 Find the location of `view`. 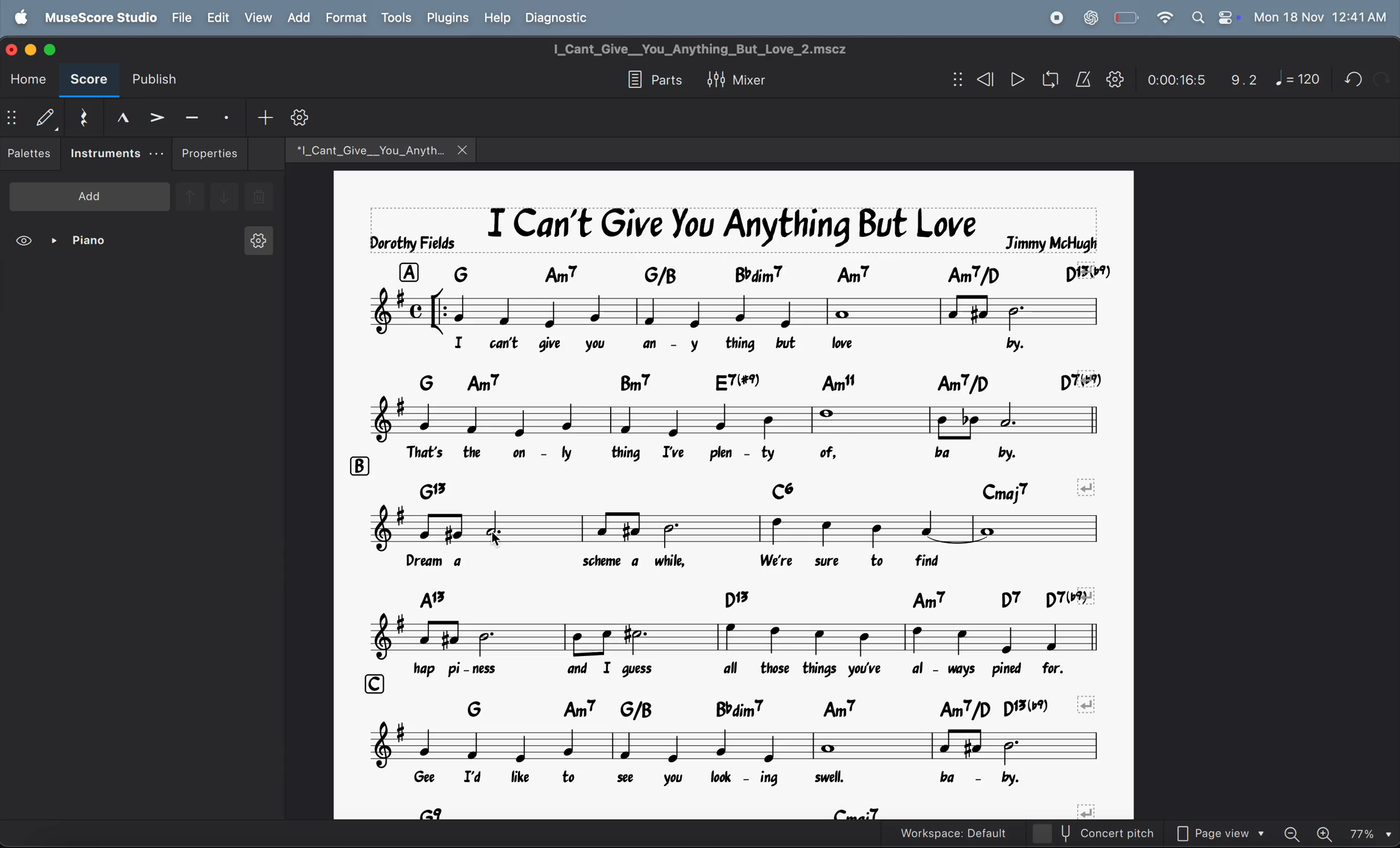

view is located at coordinates (259, 19).